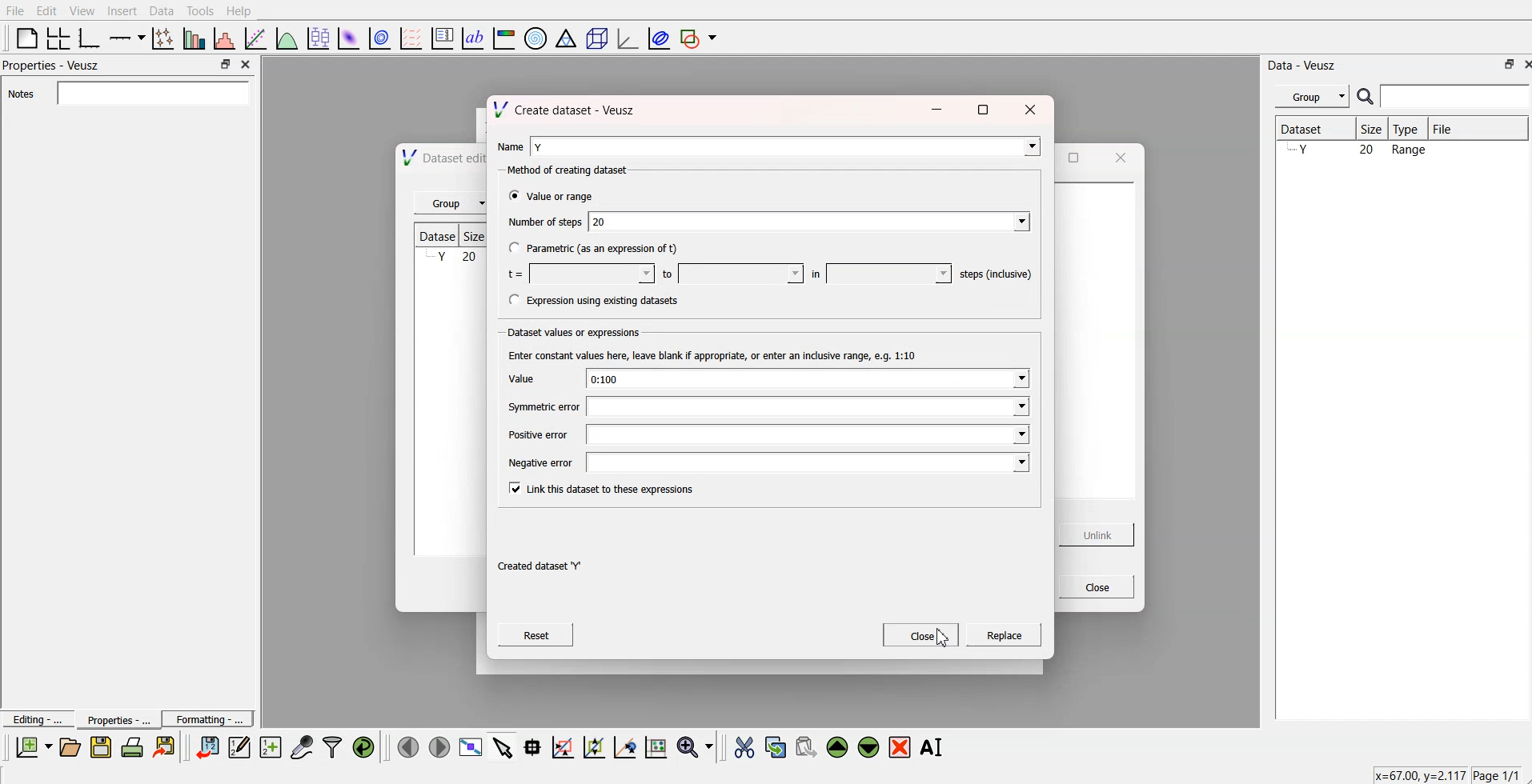  Describe the element at coordinates (34, 747) in the screenshot. I see `New document` at that location.